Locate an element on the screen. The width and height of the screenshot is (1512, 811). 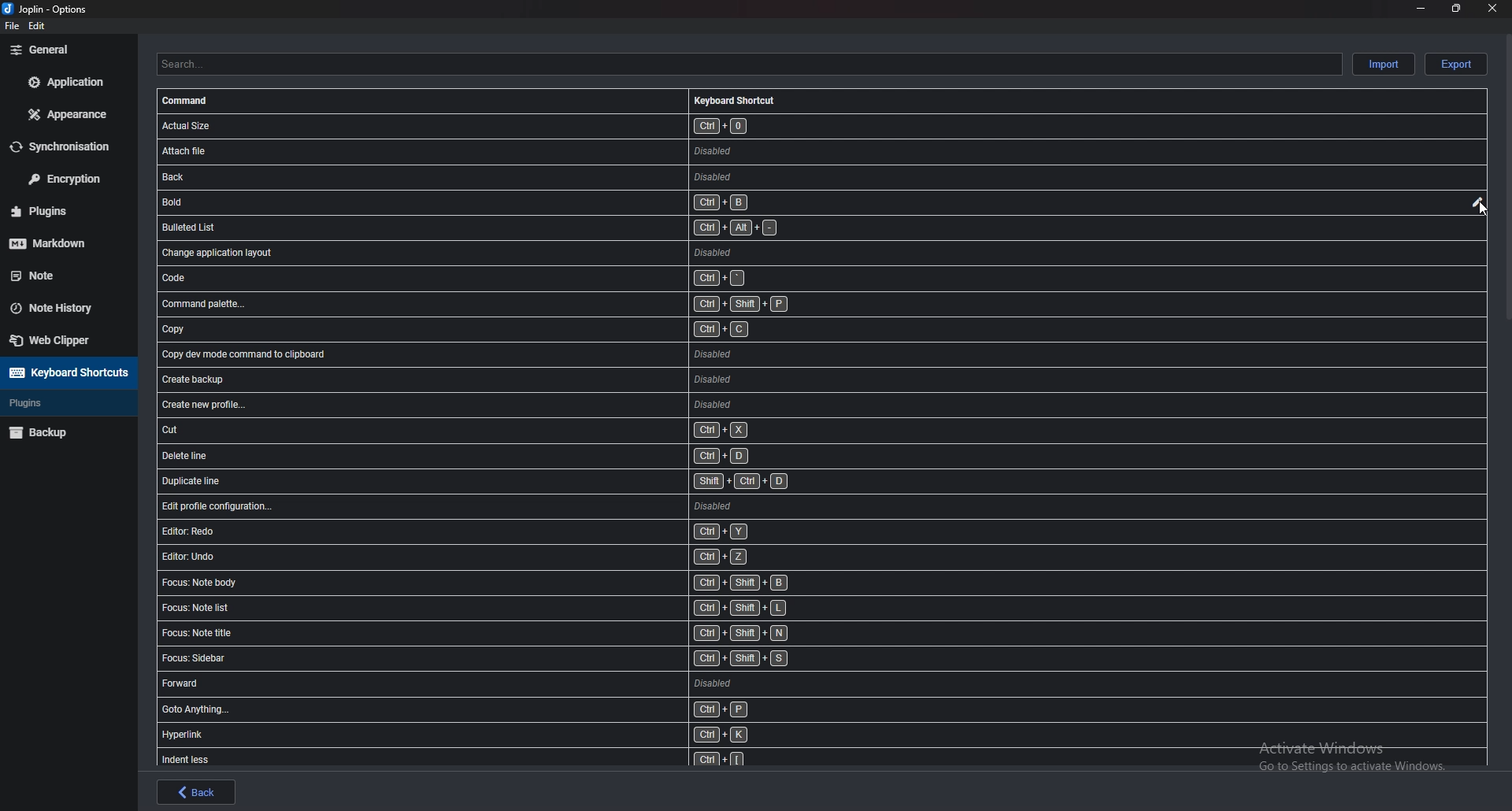
Search shortcuts is located at coordinates (752, 65).